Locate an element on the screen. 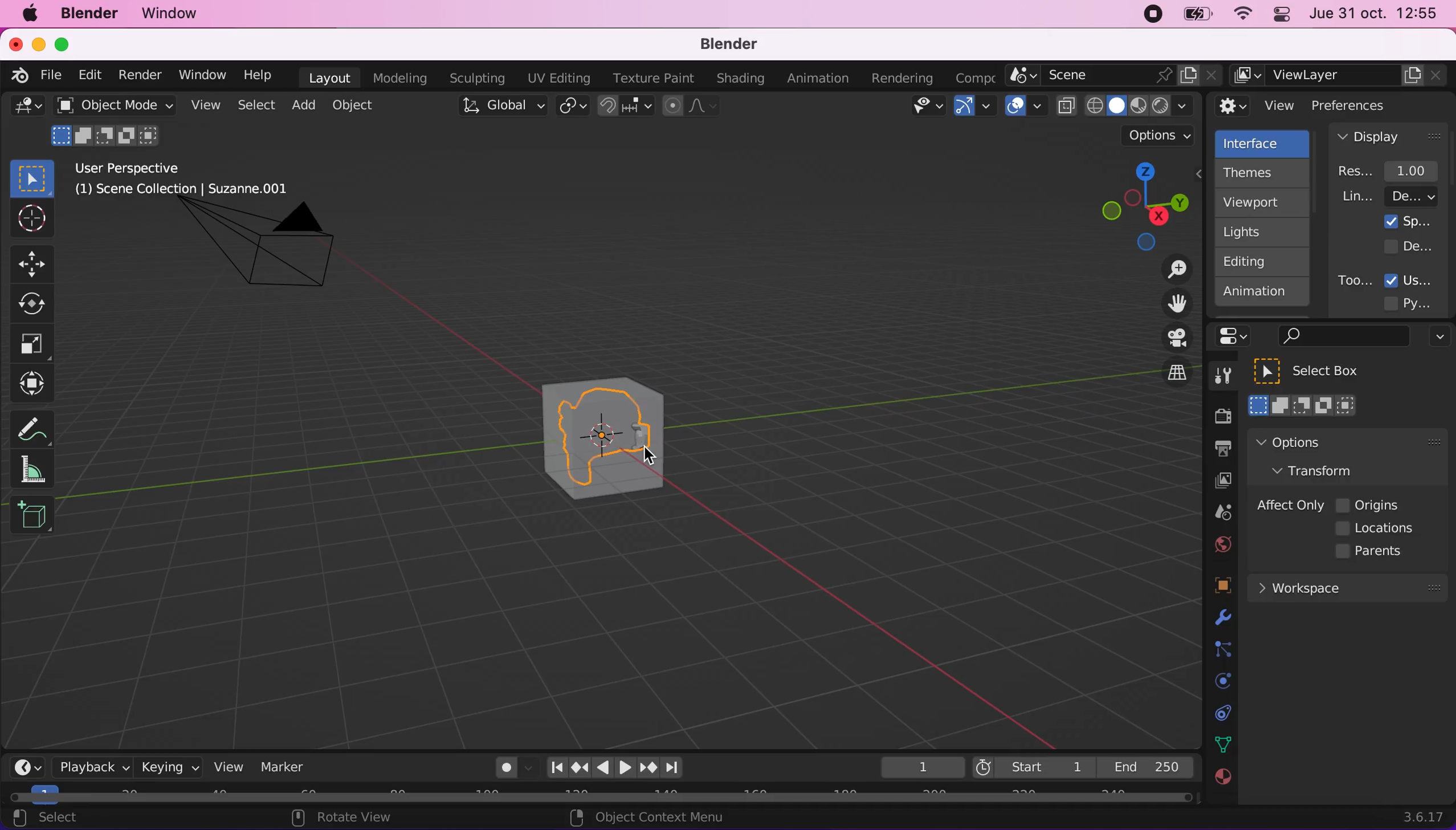 This screenshot has height=830, width=1456. panel control is located at coordinates (1279, 16).